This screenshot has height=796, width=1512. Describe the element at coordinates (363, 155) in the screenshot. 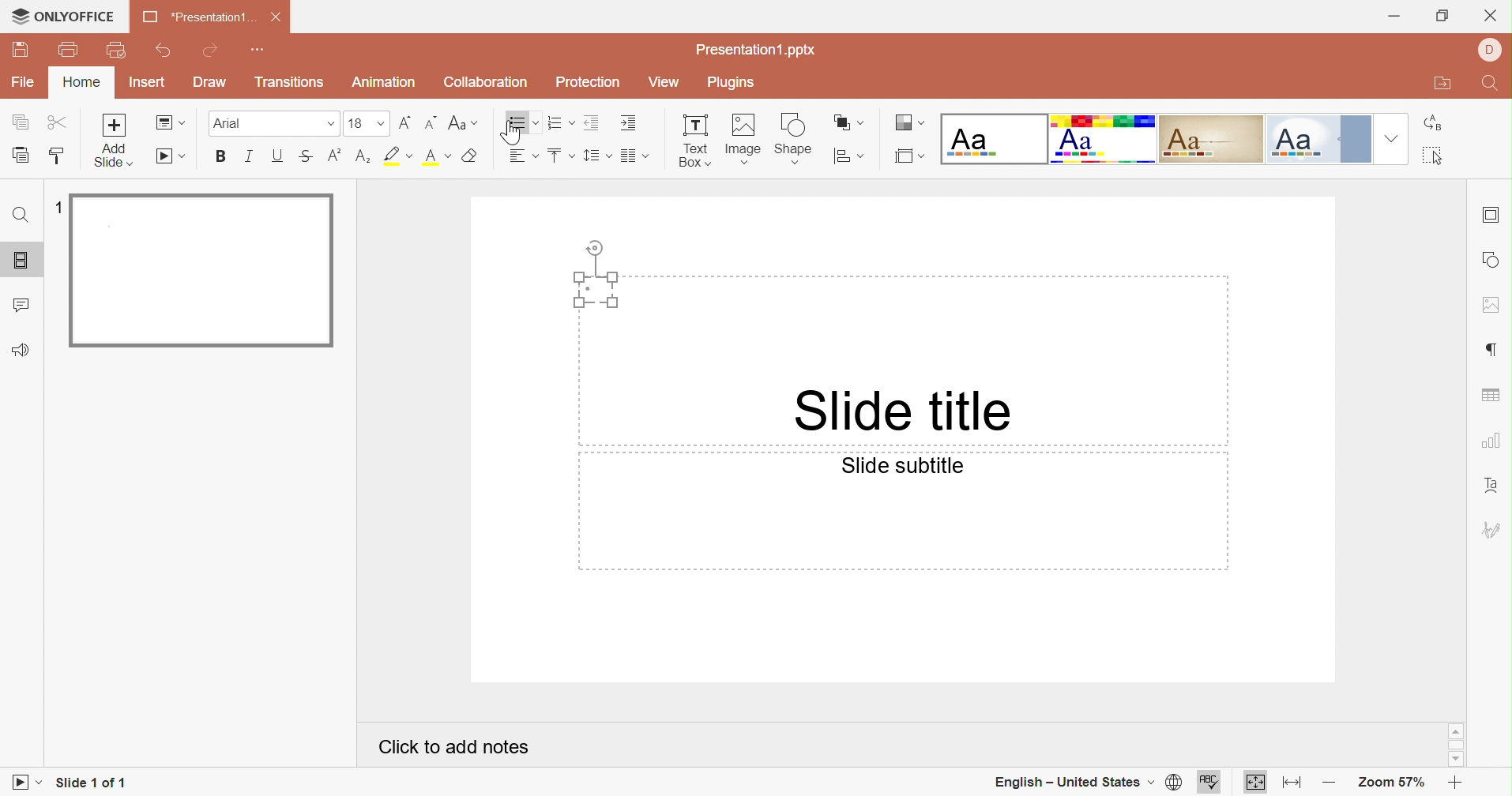

I see `Subscript` at that location.